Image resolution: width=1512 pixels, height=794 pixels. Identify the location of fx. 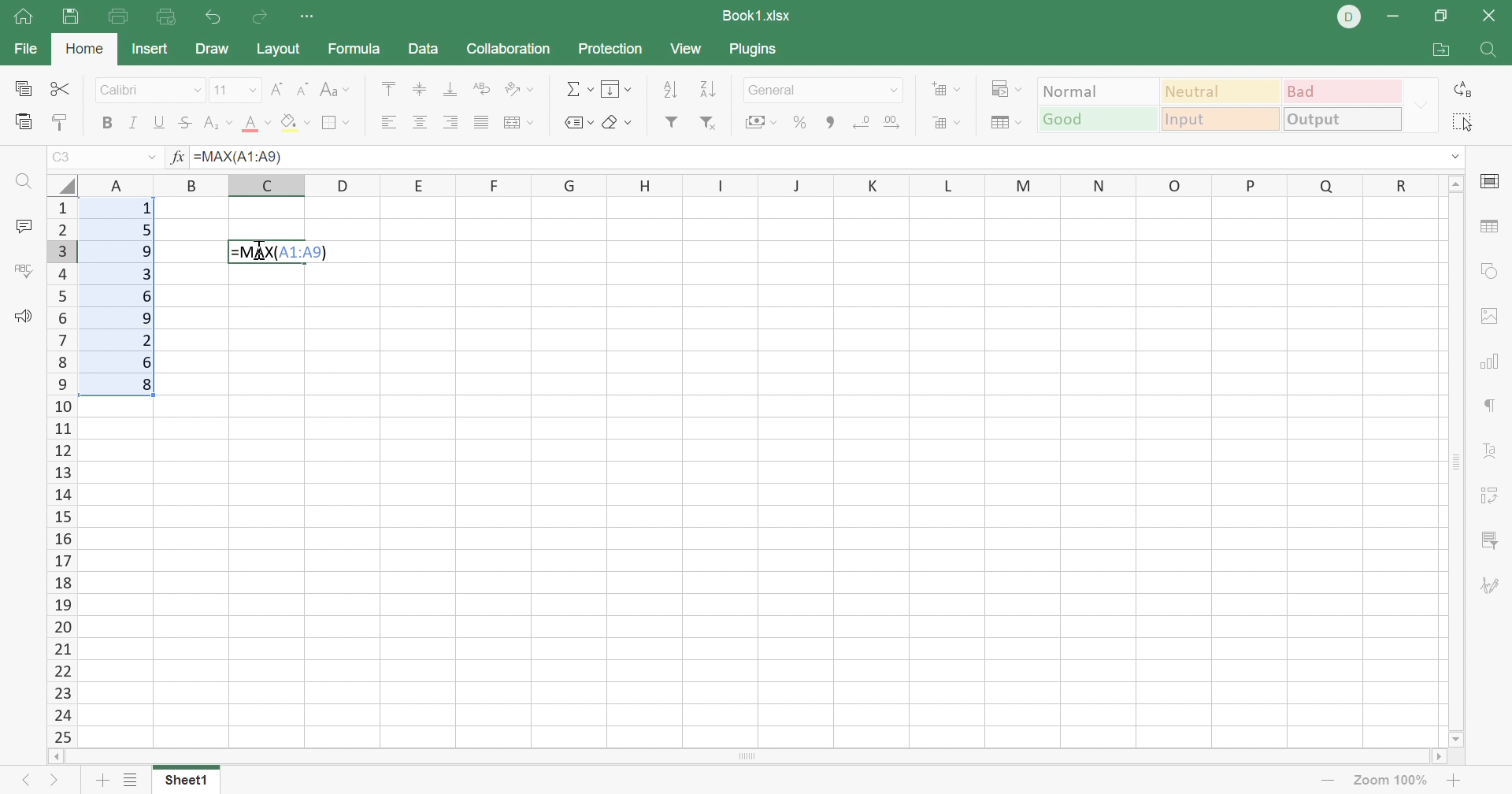
(176, 158).